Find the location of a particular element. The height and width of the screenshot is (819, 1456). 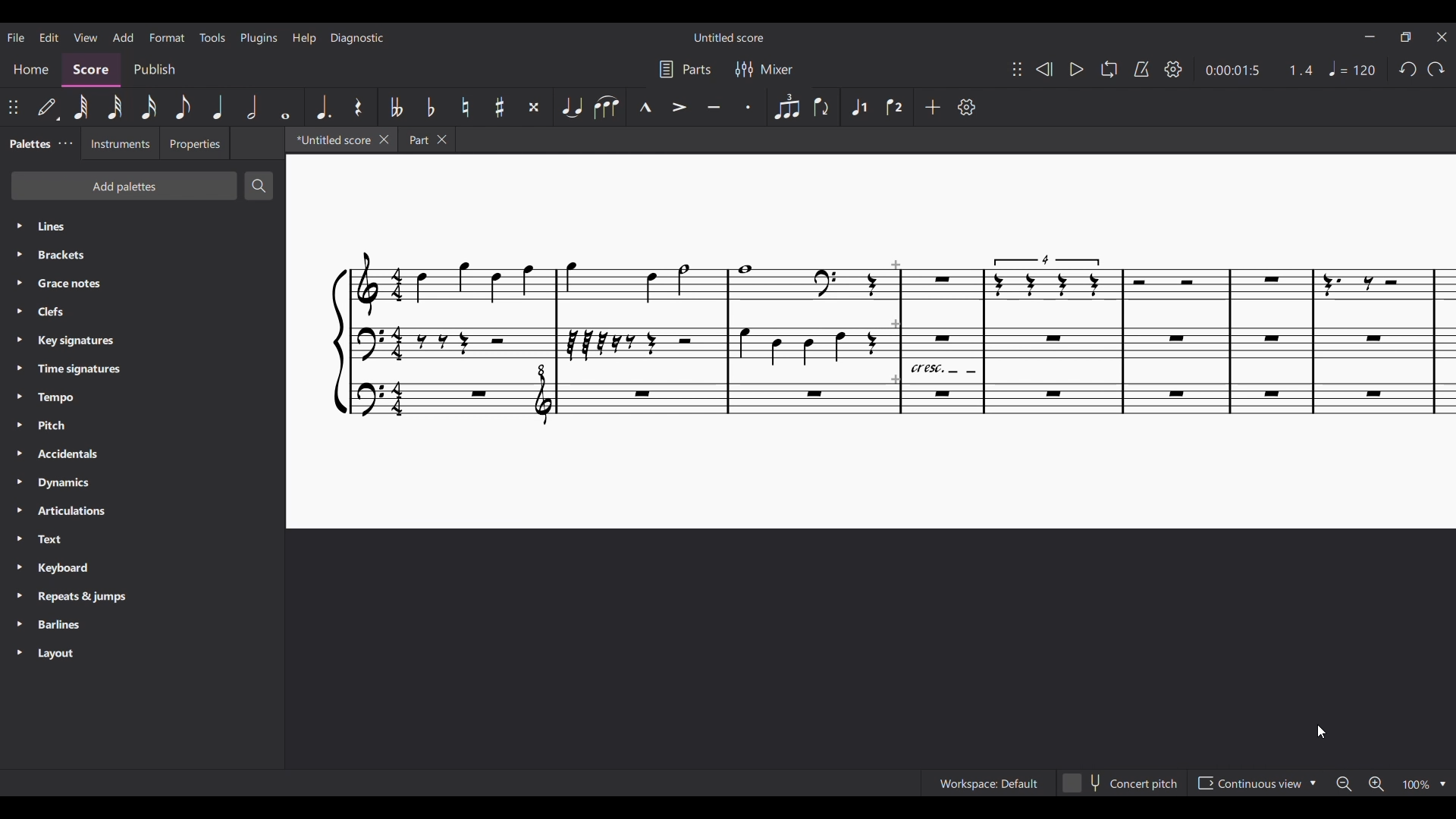

Edit menu is located at coordinates (49, 37).